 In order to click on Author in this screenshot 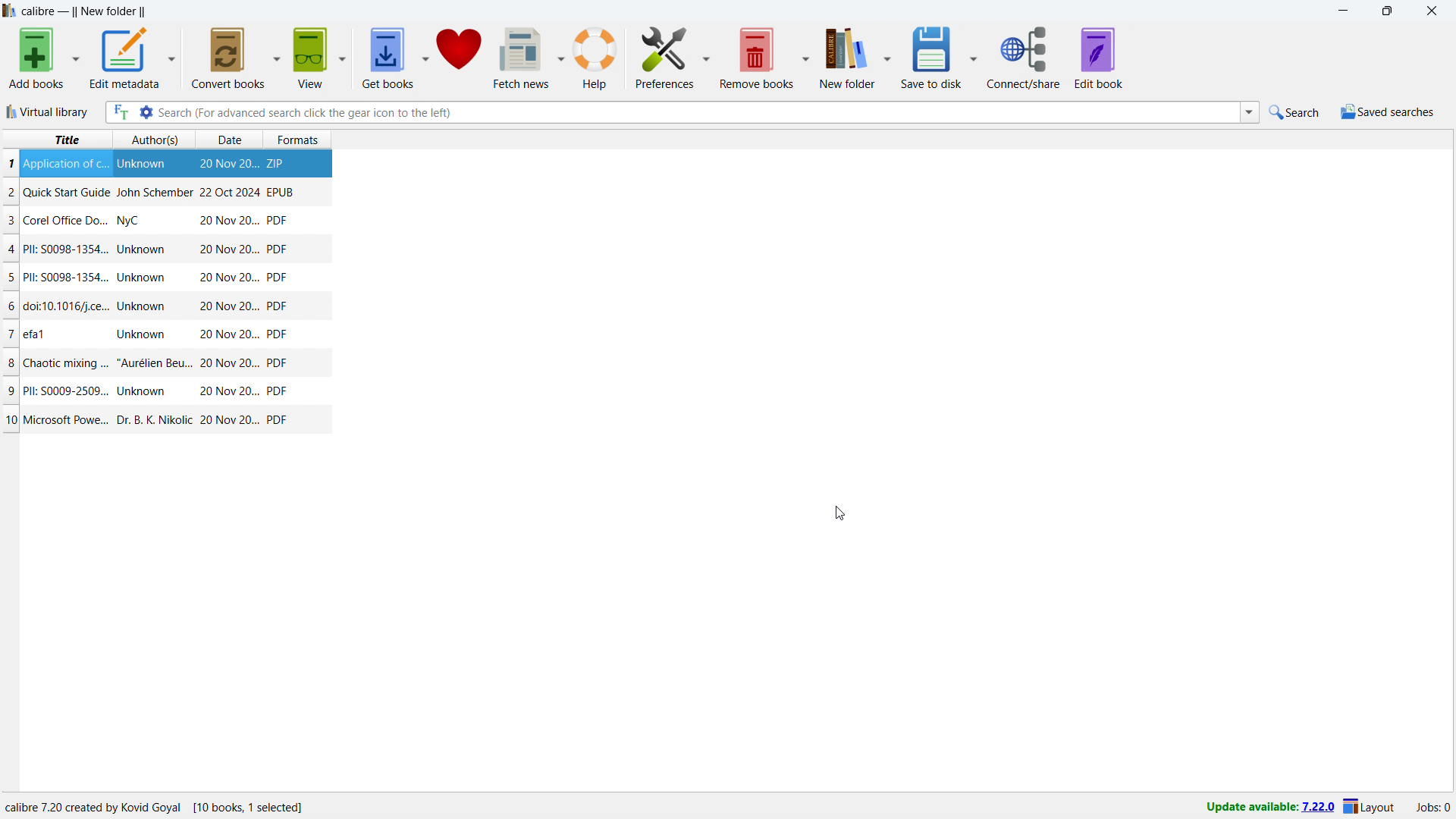, I will do `click(144, 306)`.